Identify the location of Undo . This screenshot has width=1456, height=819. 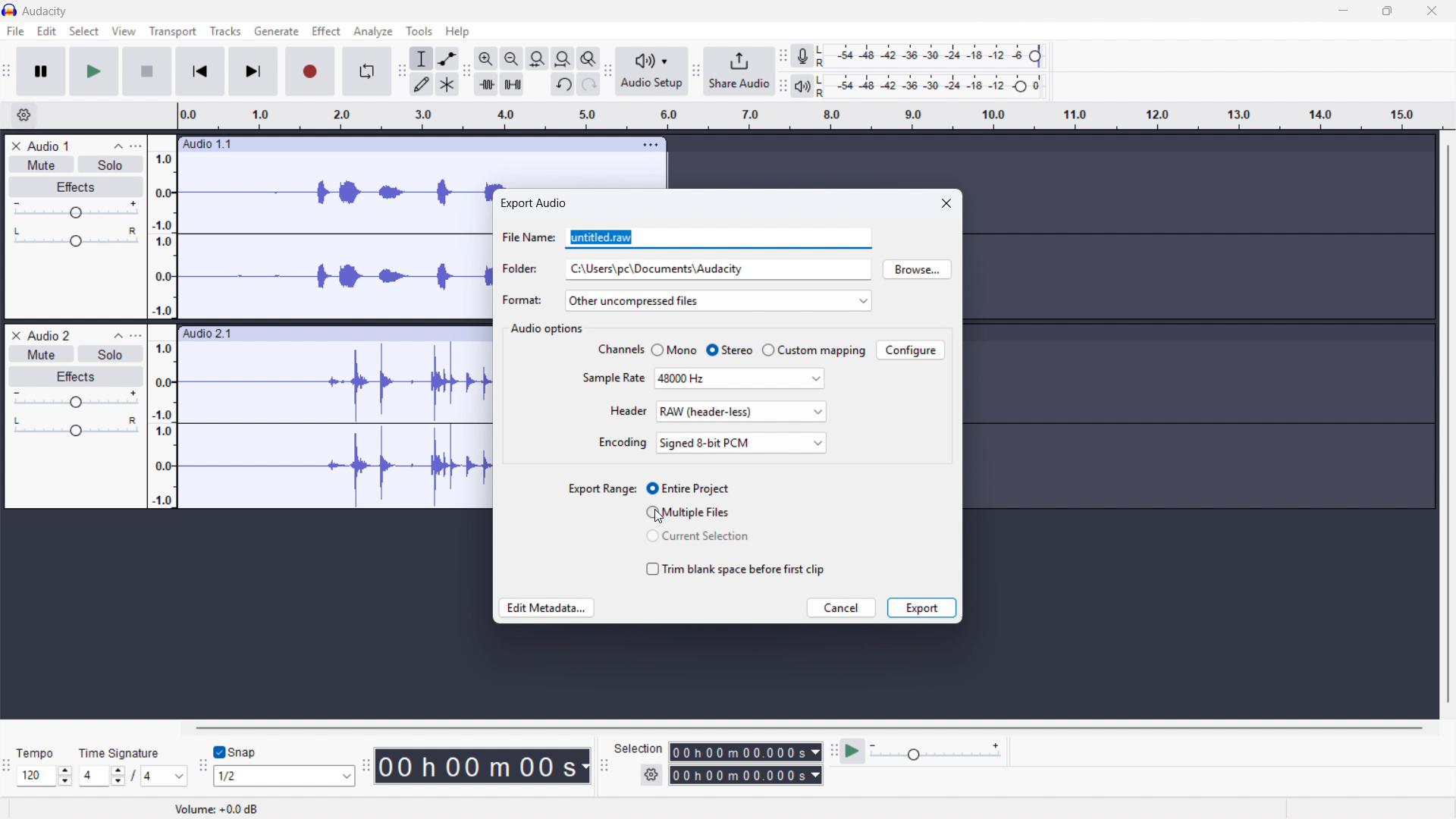
(564, 84).